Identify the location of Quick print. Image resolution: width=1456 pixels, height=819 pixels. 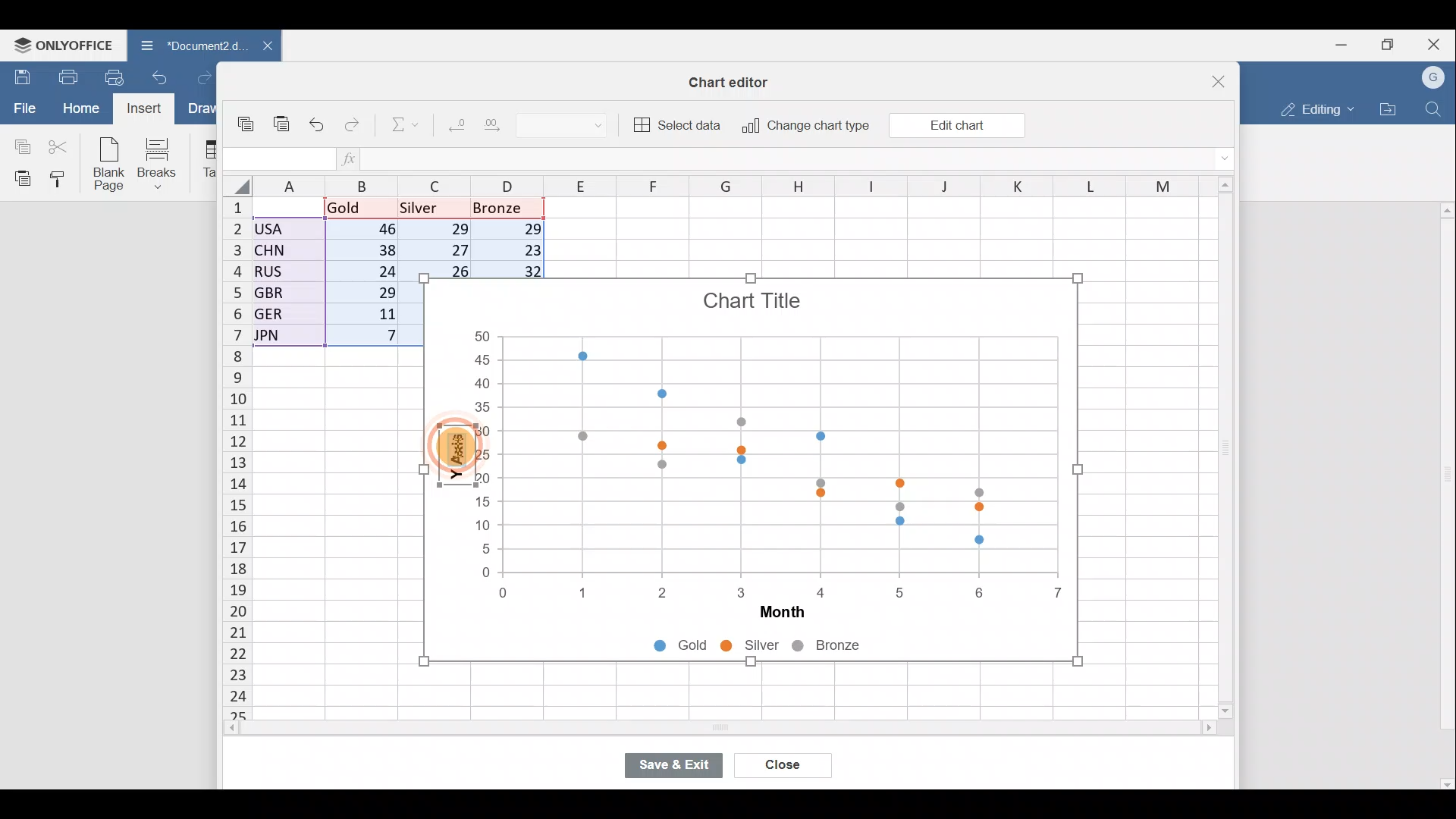
(115, 77).